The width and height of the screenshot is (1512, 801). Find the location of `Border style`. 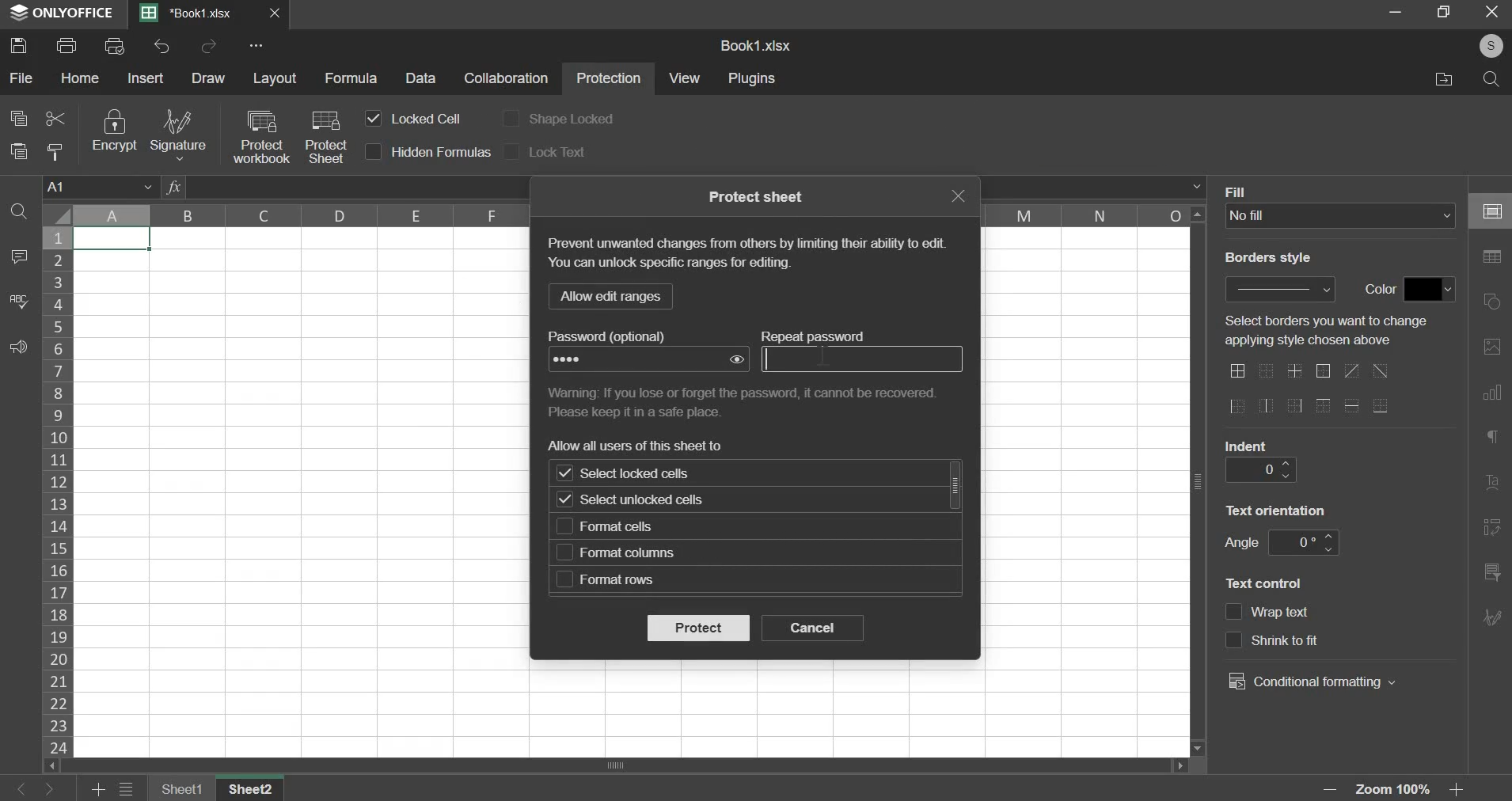

Border style is located at coordinates (1276, 261).